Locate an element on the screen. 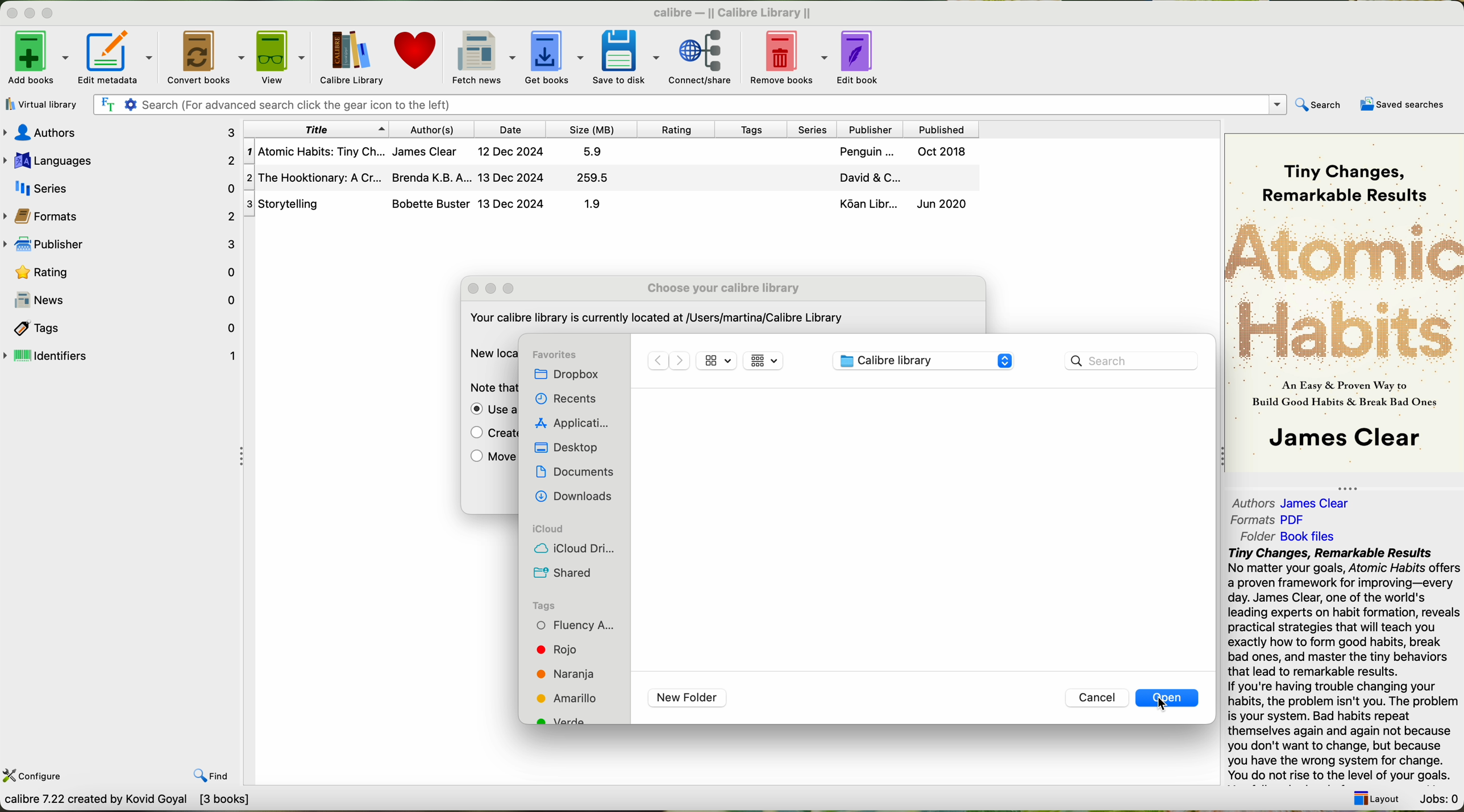  your calibre library is currently located at user/martina/Calibre Library is located at coordinates (656, 317).